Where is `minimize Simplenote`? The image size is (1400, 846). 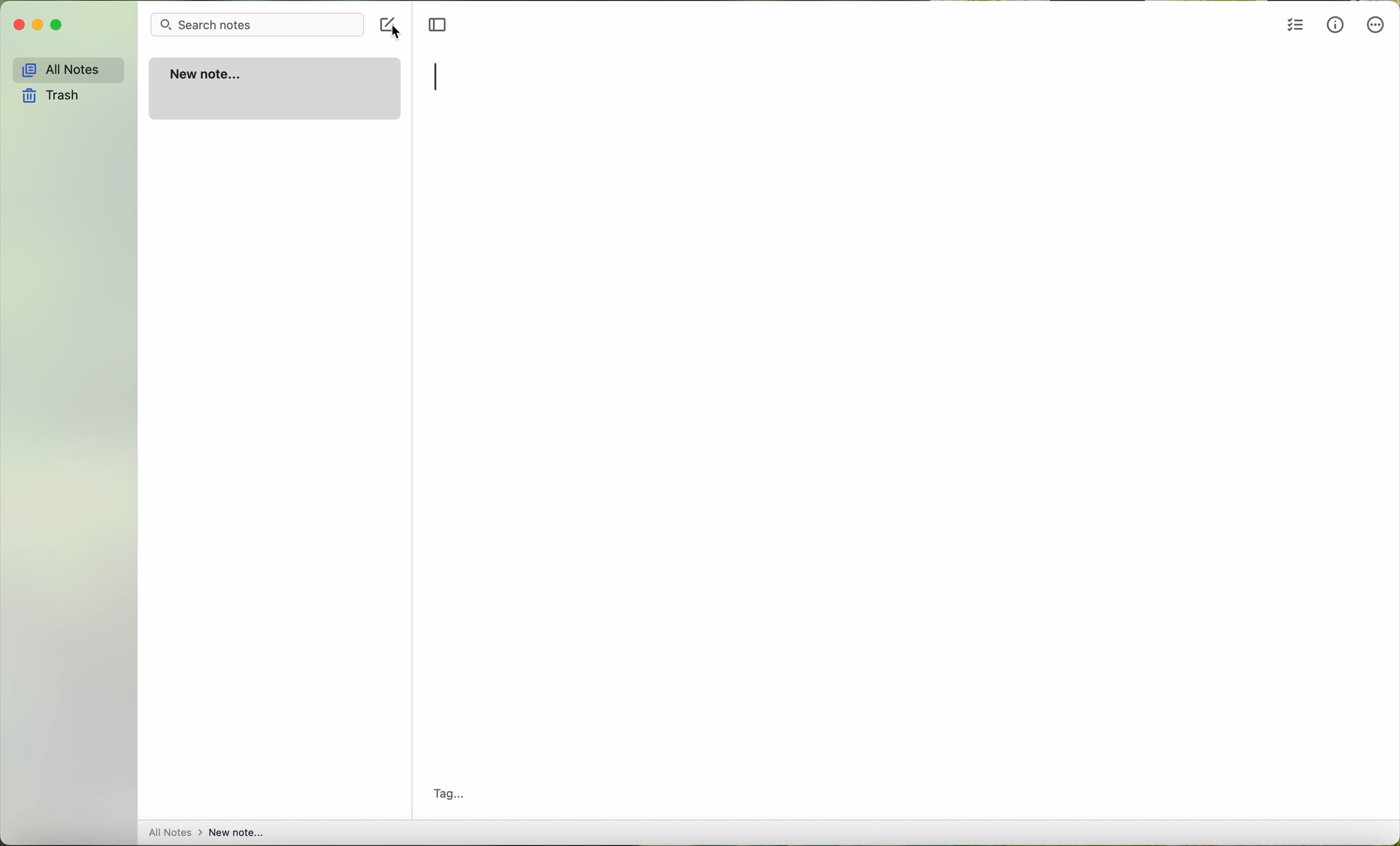 minimize Simplenote is located at coordinates (37, 26).